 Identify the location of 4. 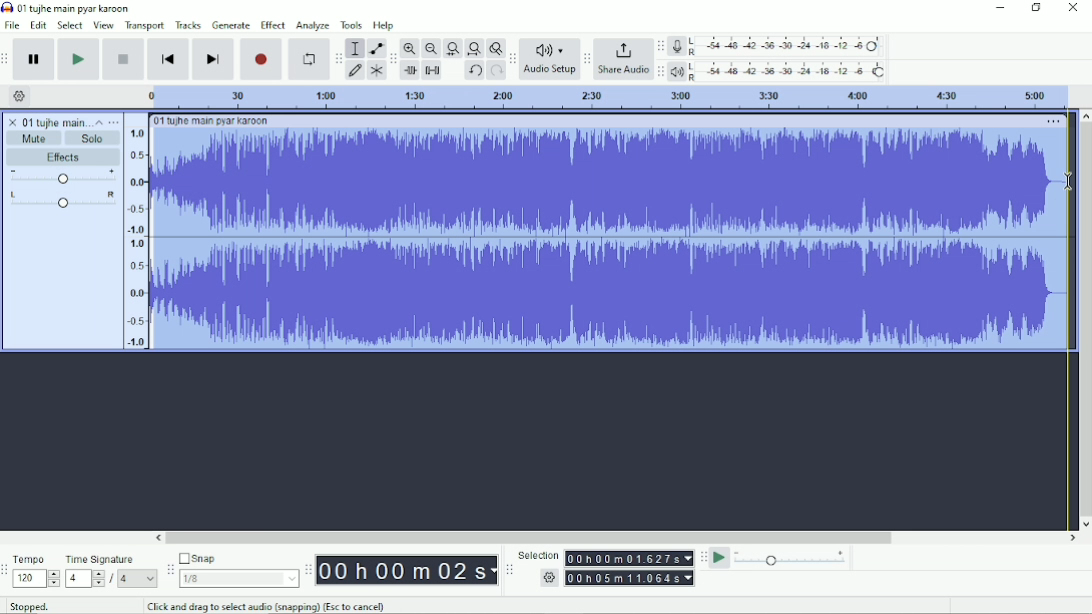
(138, 579).